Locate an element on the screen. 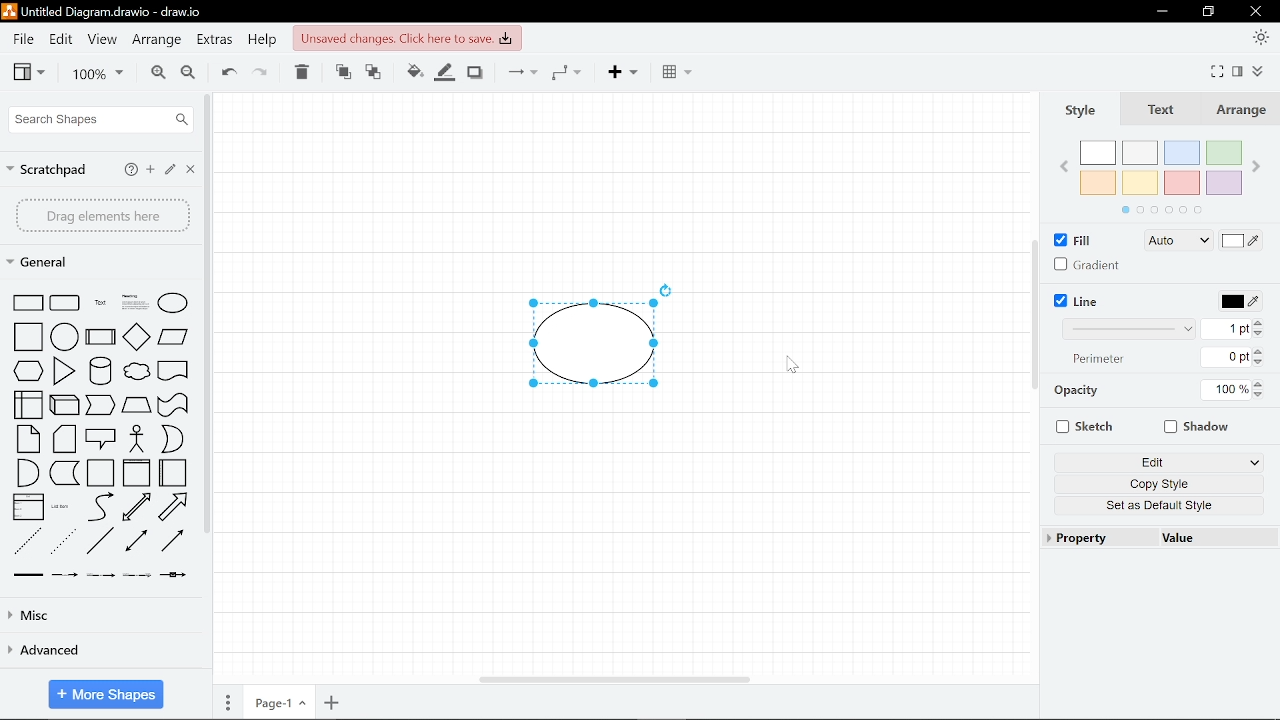 This screenshot has height=720, width=1280. trapezoid is located at coordinates (137, 407).